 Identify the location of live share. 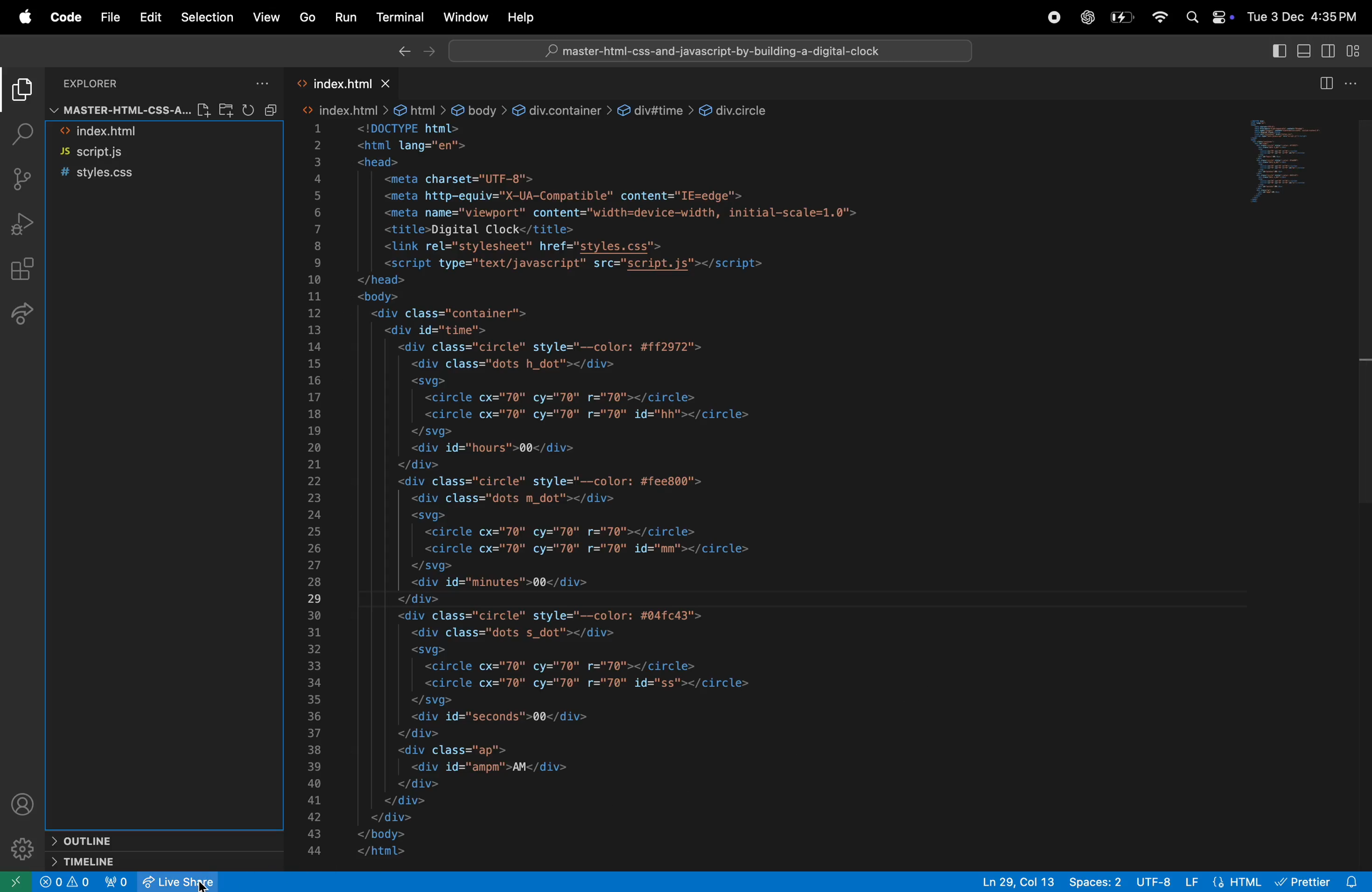
(27, 318).